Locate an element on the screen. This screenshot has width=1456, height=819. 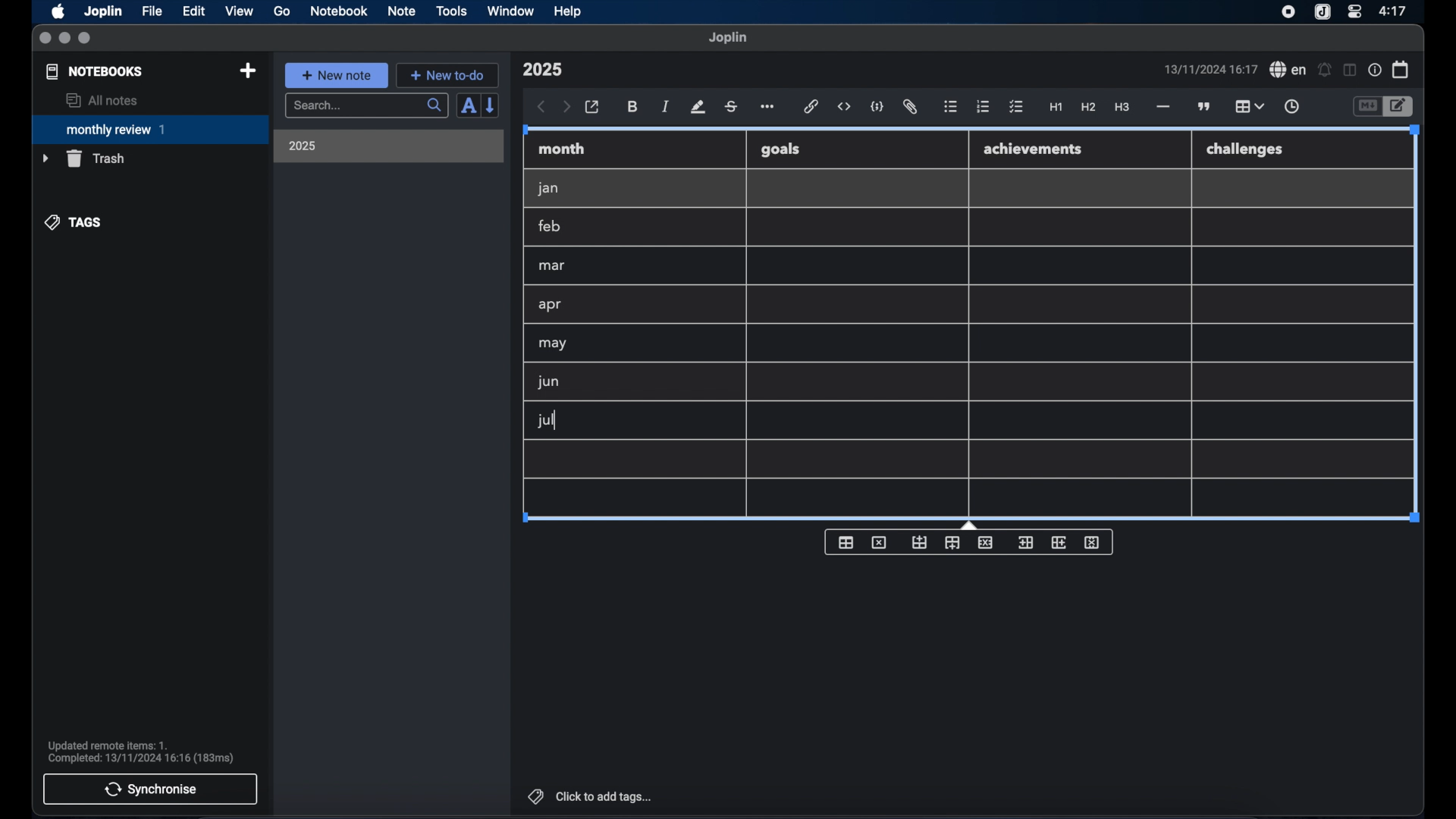
horizontal rule is located at coordinates (1162, 107).